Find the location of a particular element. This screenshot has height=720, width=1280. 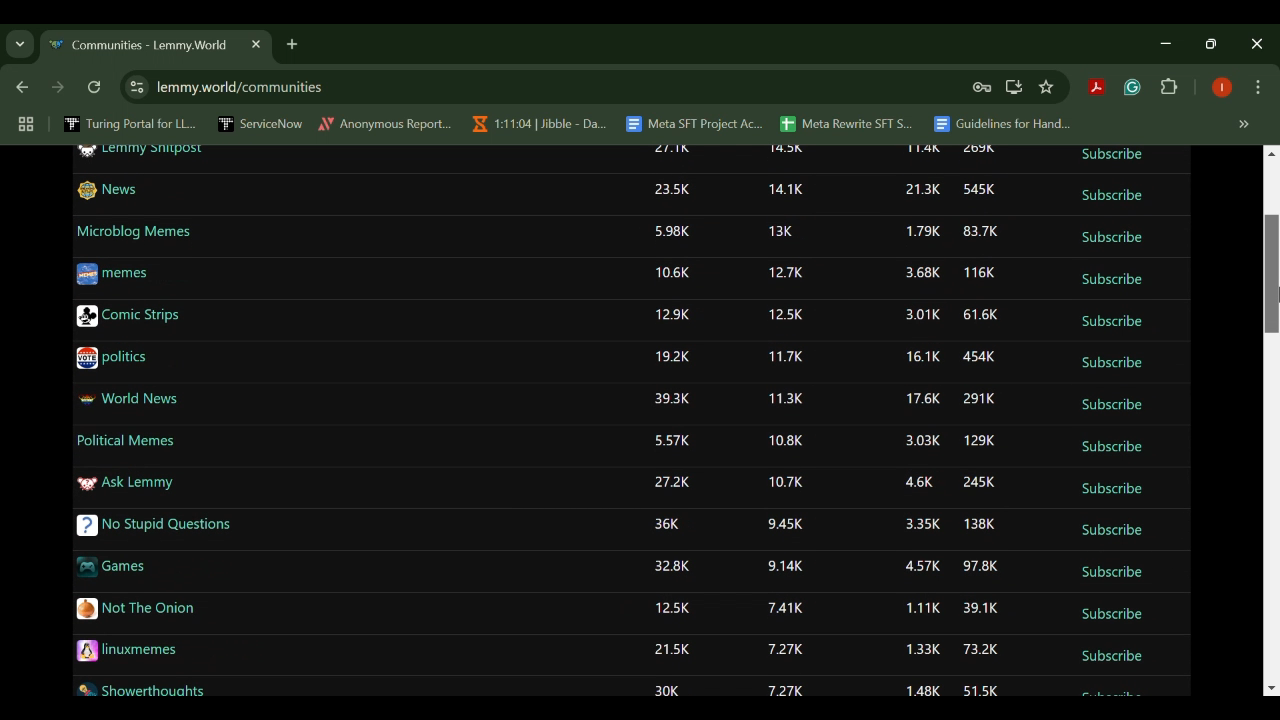

Restore Down is located at coordinates (1170, 43).